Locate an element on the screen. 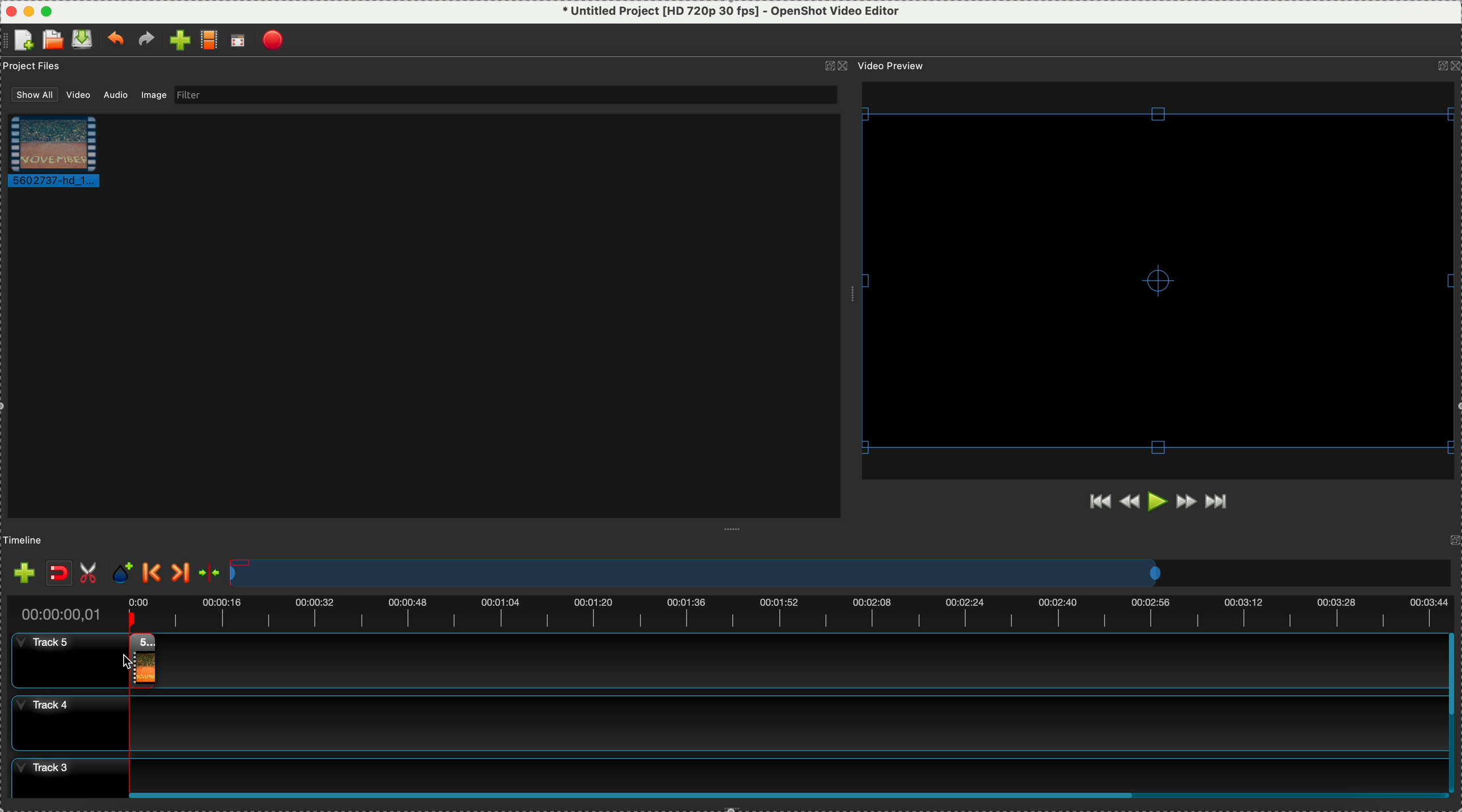 Image resolution: width=1462 pixels, height=812 pixels. filter is located at coordinates (506, 95).